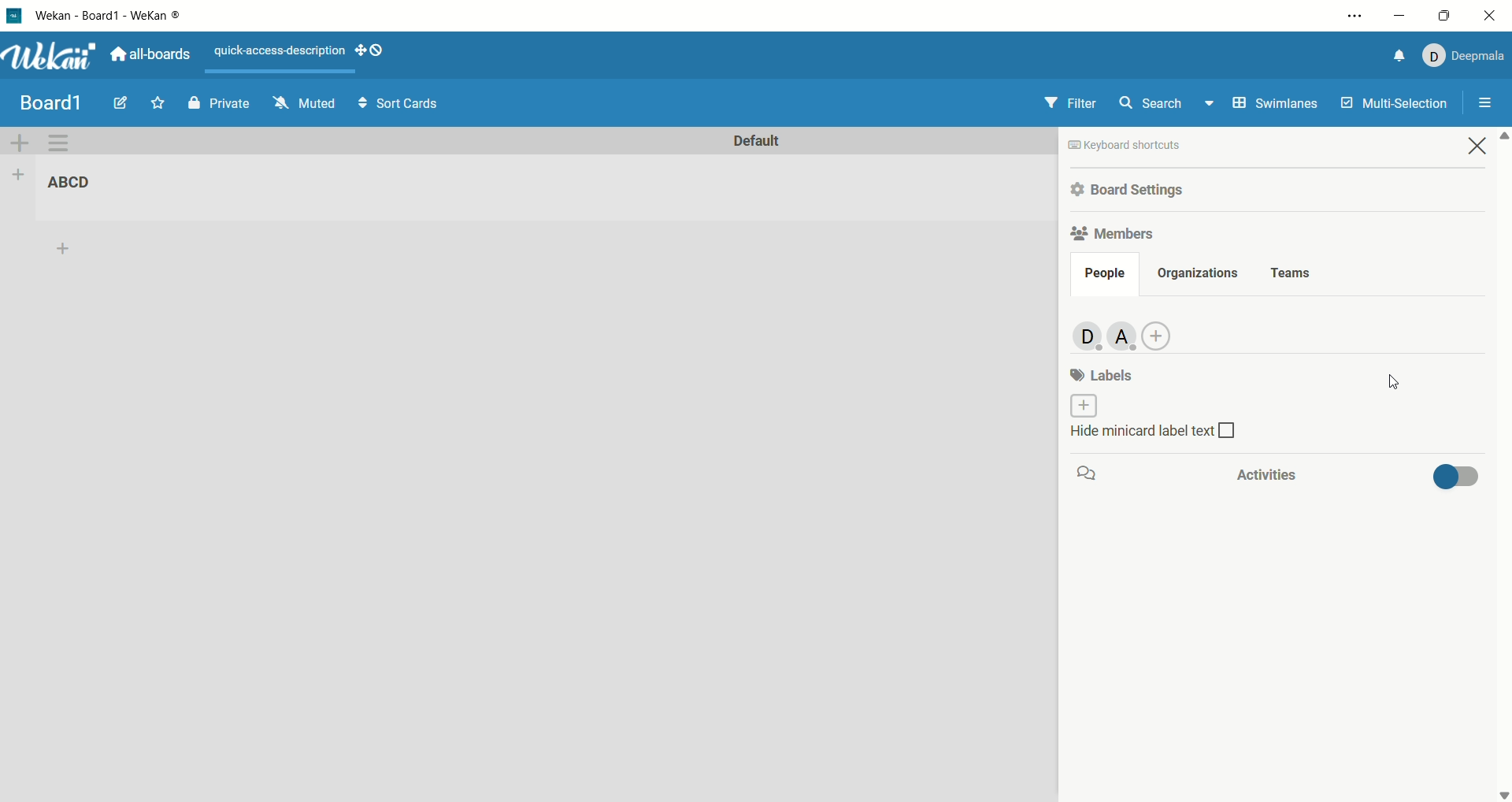  Describe the element at coordinates (1069, 102) in the screenshot. I see `filter` at that location.